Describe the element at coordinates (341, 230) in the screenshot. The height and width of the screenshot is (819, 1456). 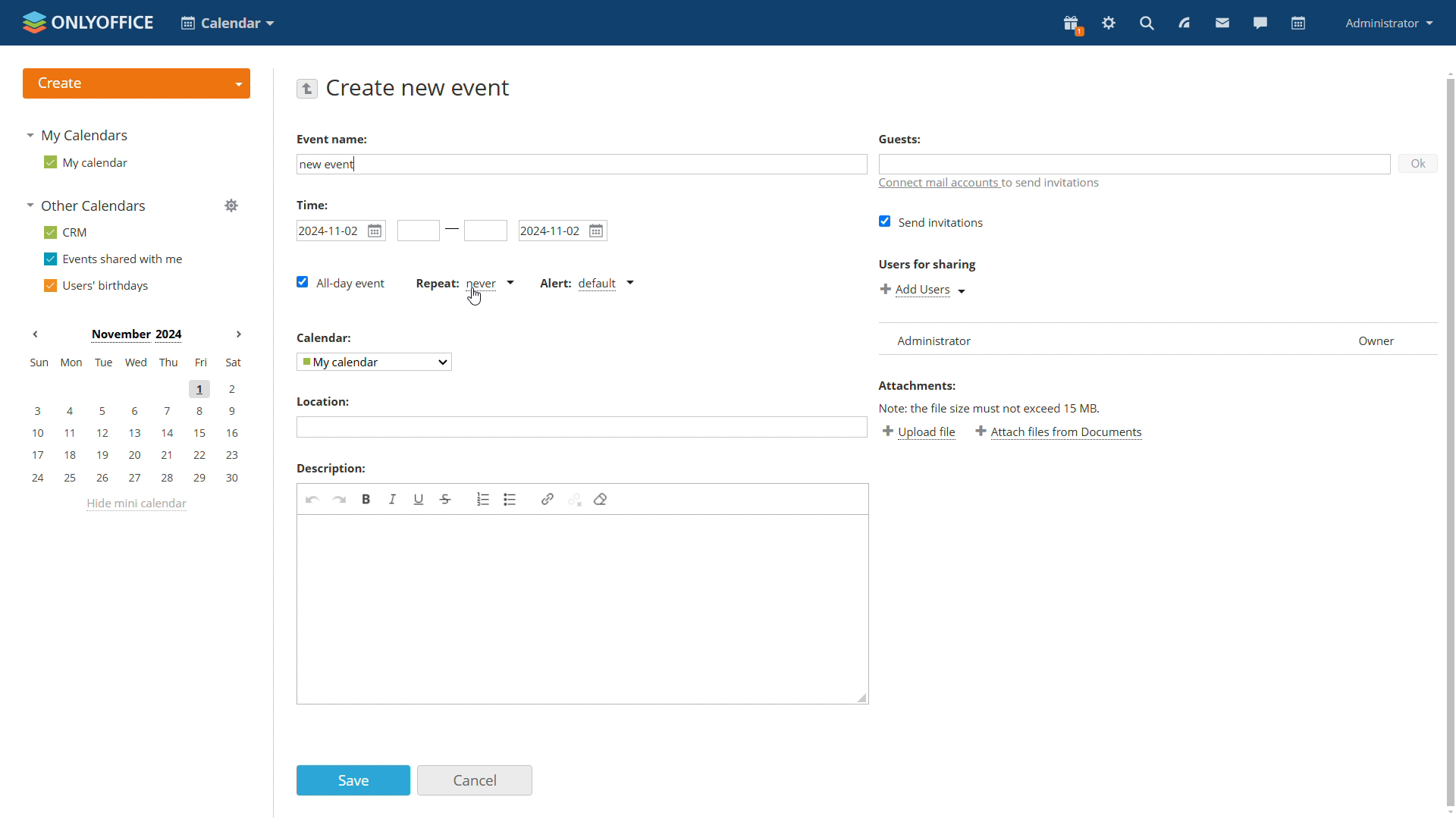
I see `event start date` at that location.